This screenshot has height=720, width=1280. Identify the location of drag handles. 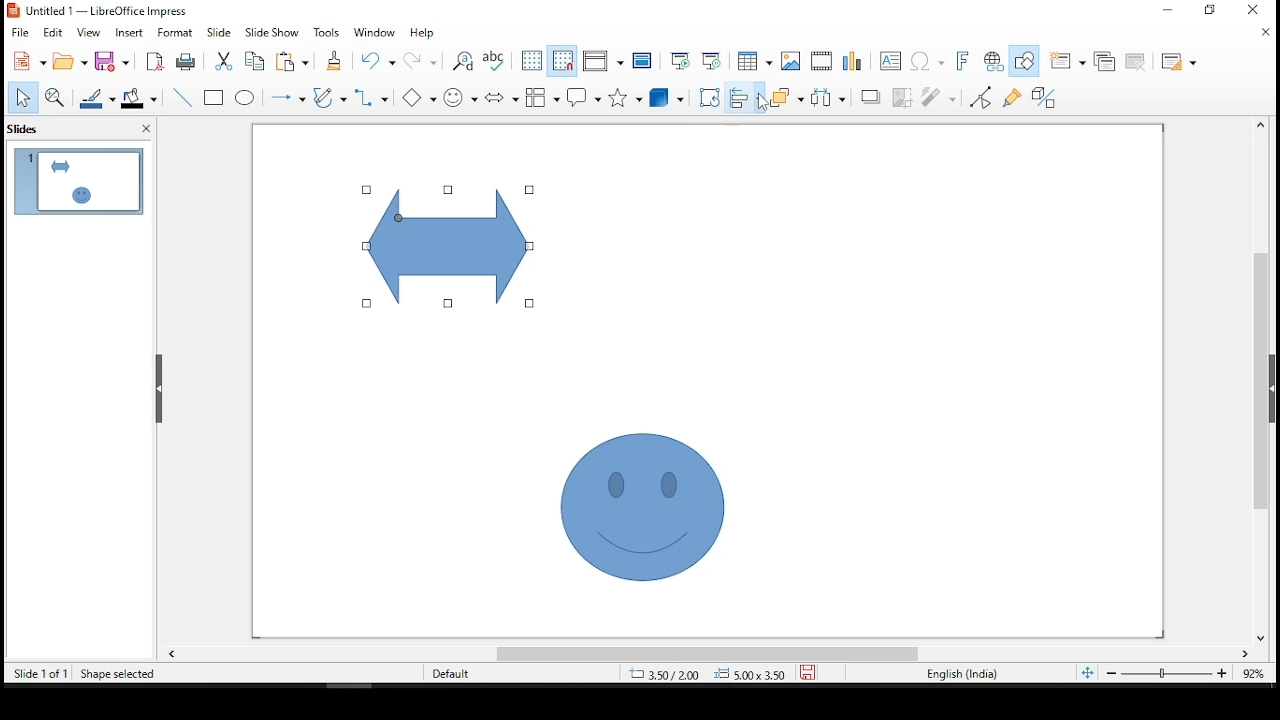
(161, 389).